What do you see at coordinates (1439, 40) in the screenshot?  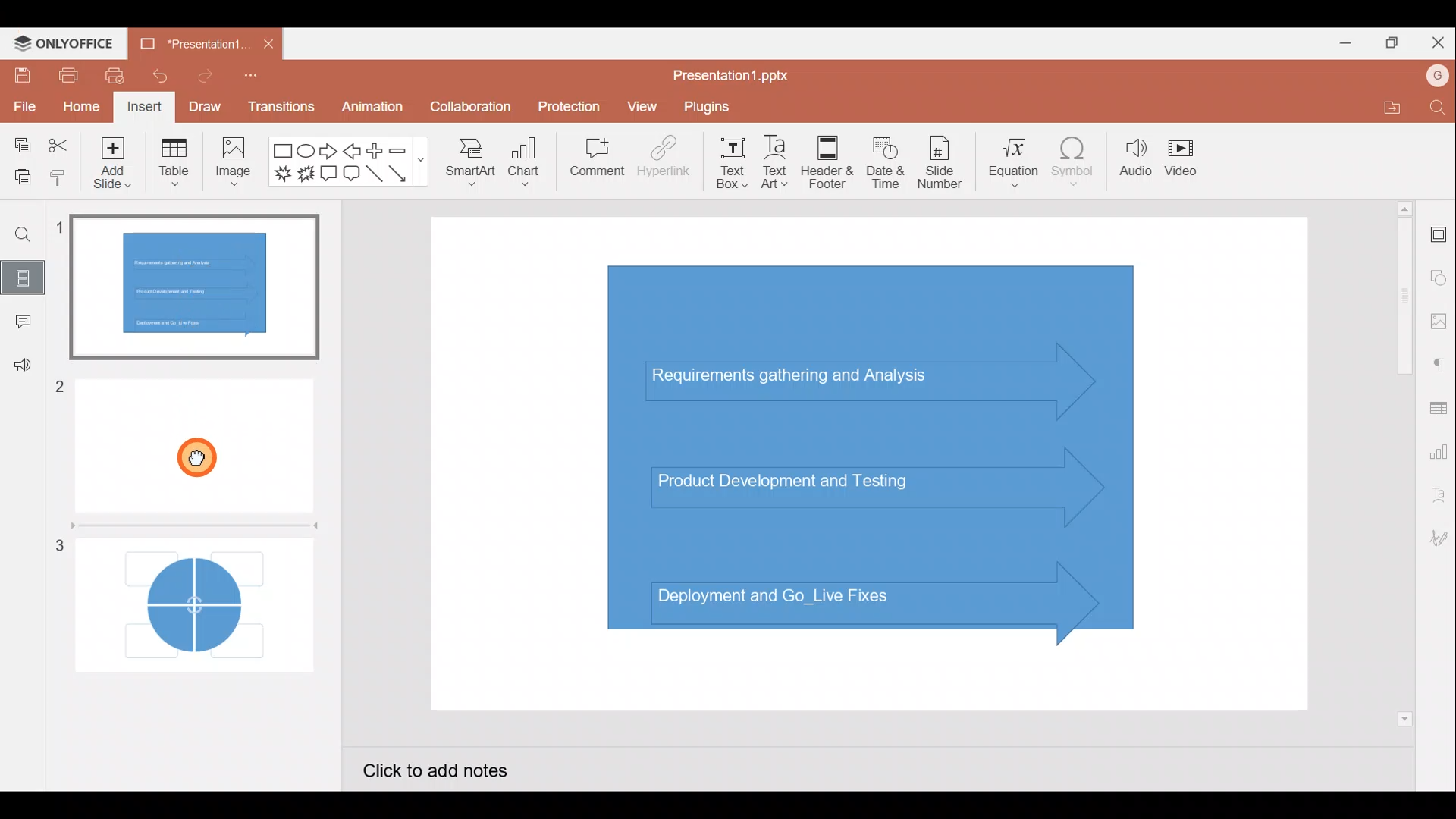 I see `Close` at bounding box center [1439, 40].